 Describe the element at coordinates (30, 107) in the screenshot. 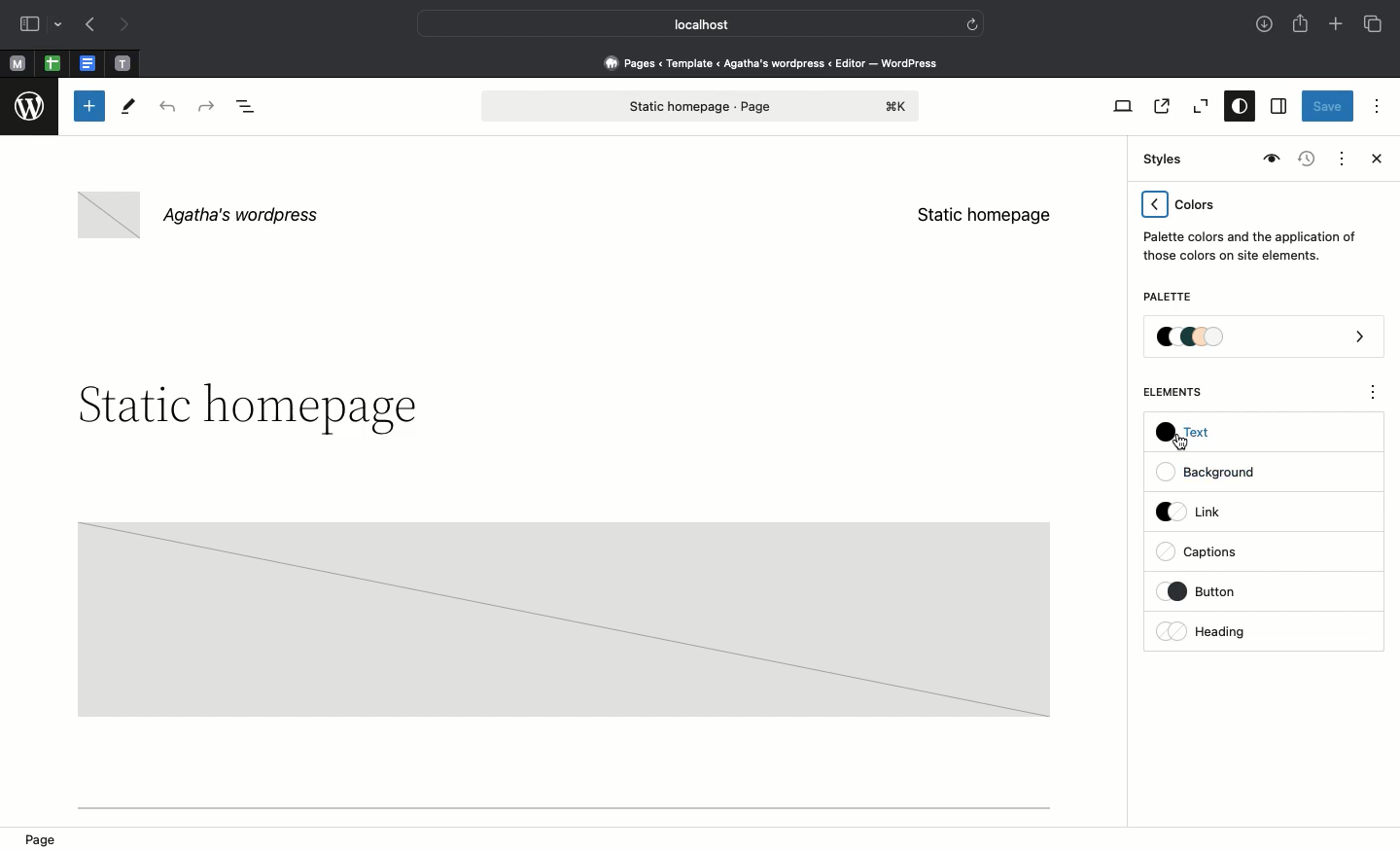

I see `wordpress` at that location.